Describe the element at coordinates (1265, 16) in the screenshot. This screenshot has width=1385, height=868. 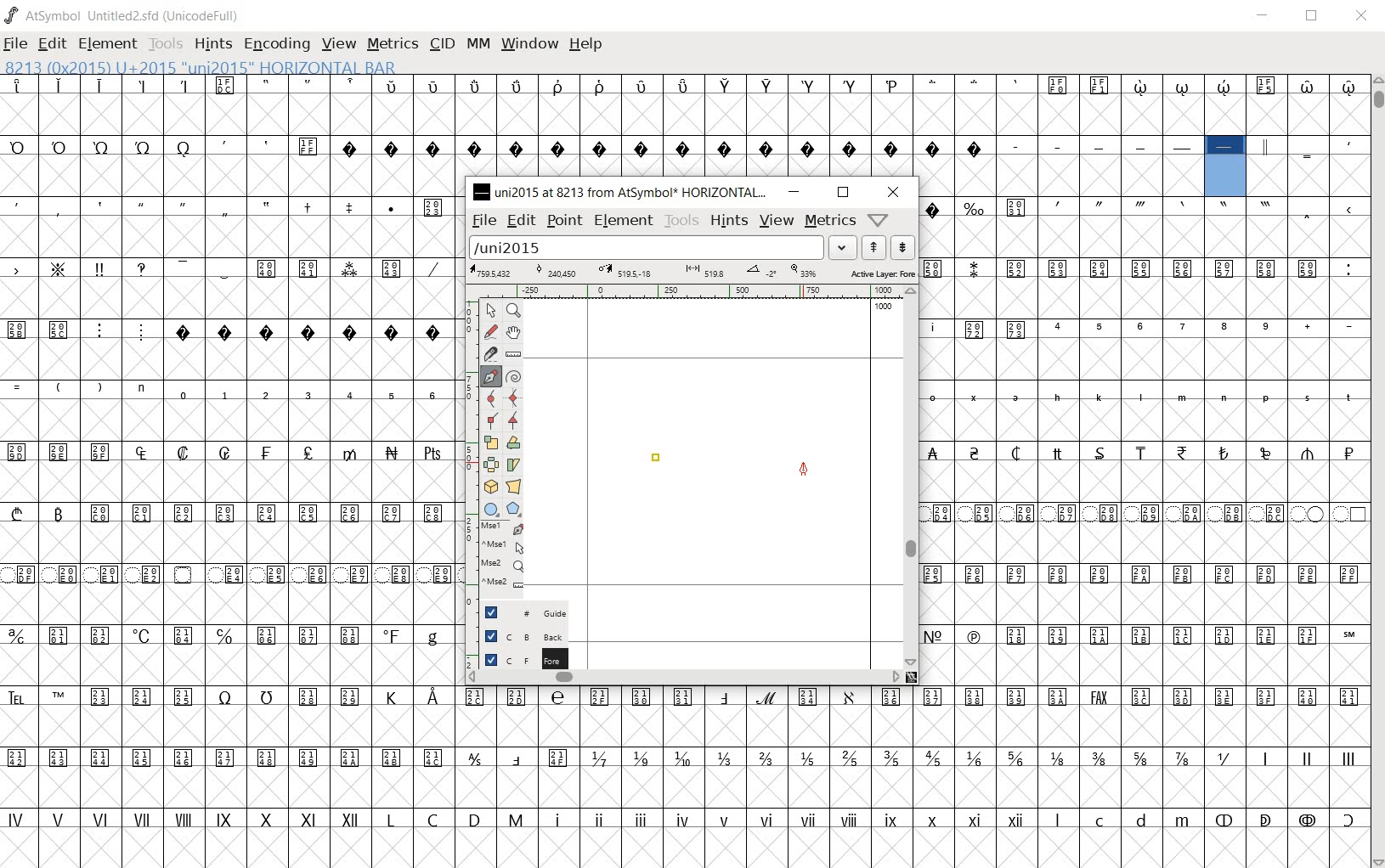
I see `MINIMIZE` at that location.